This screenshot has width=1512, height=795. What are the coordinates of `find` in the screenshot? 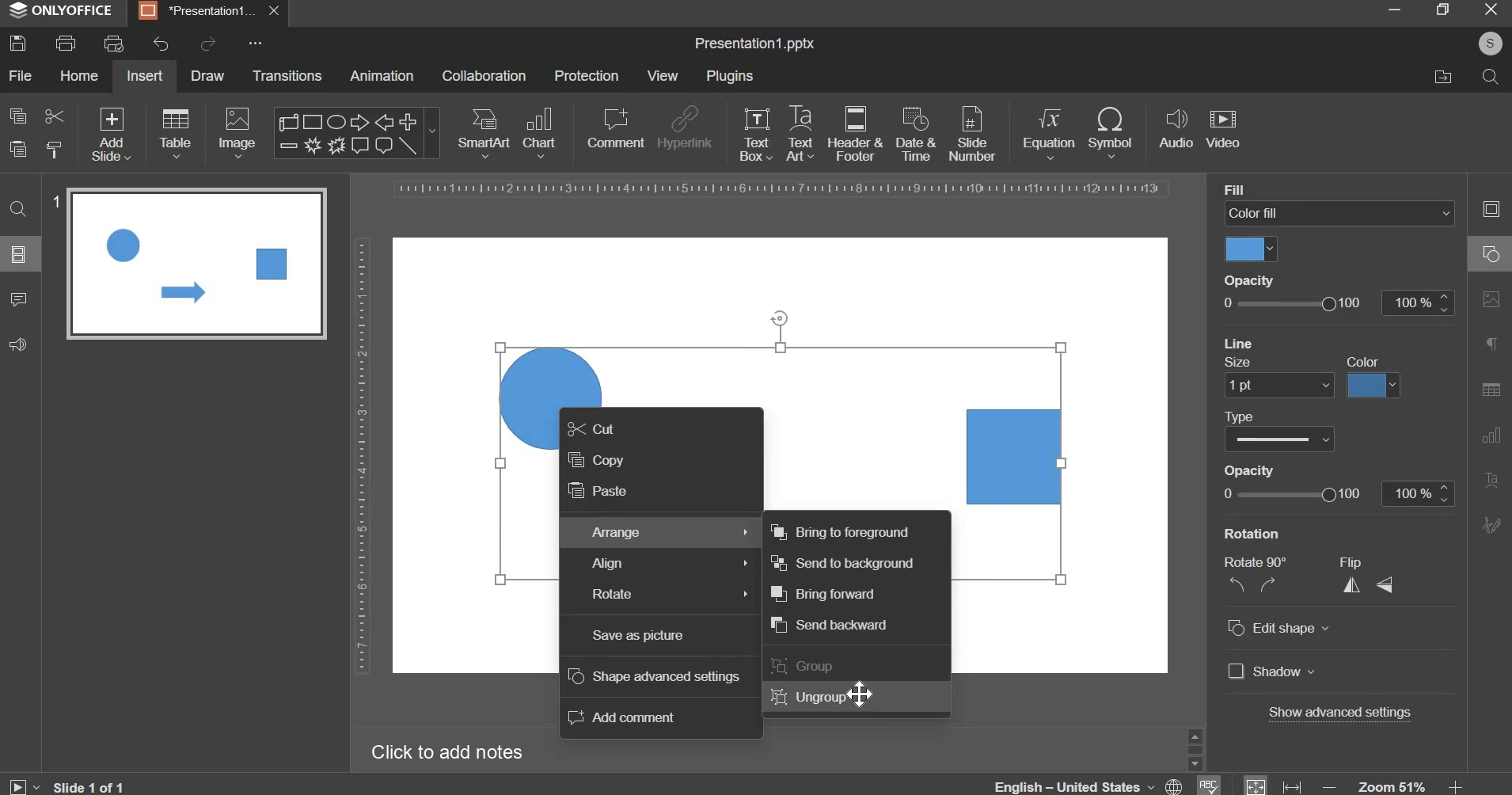 It's located at (20, 207).